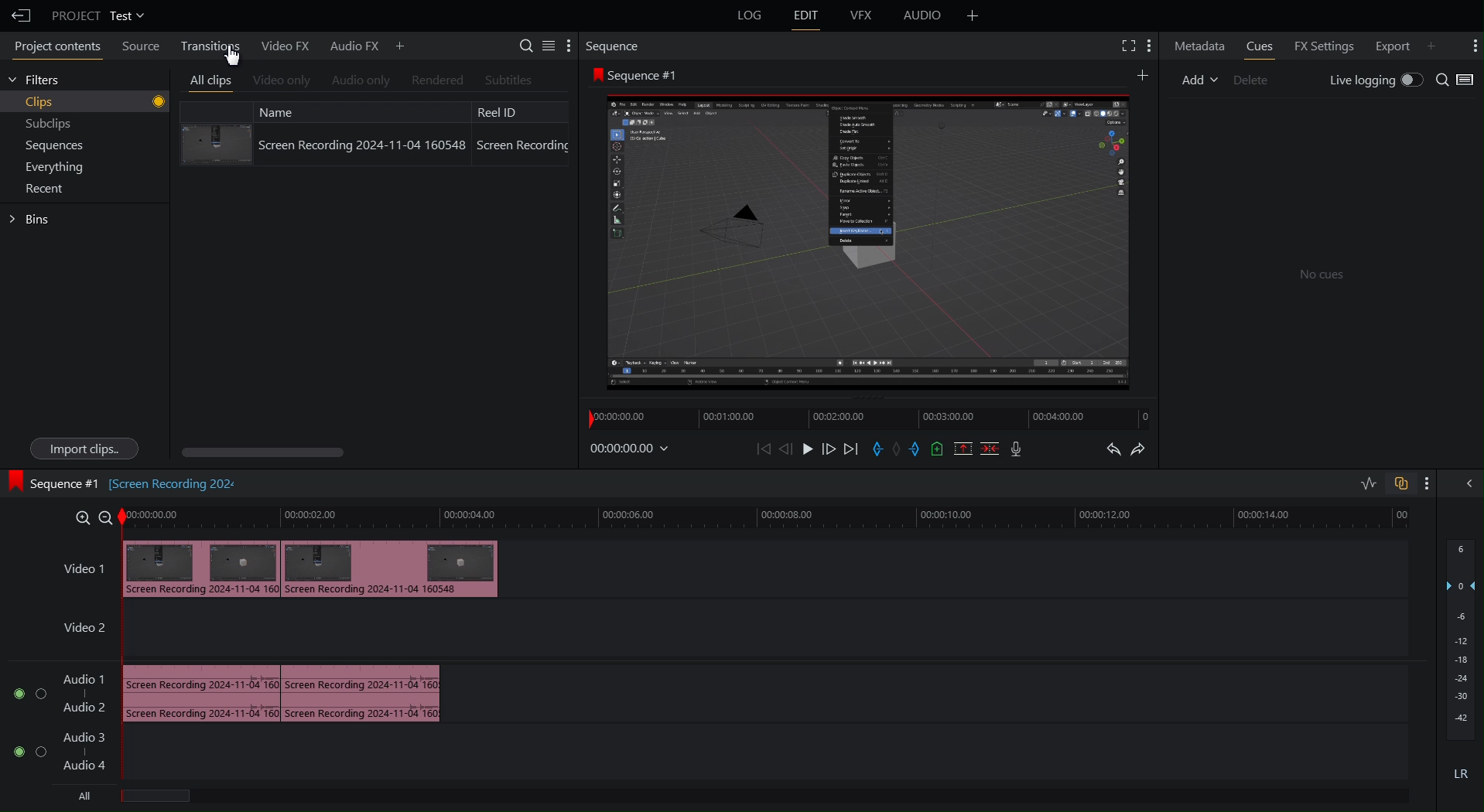 The width and height of the screenshot is (1484, 812). What do you see at coordinates (938, 449) in the screenshot?
I see `Add Cue` at bounding box center [938, 449].